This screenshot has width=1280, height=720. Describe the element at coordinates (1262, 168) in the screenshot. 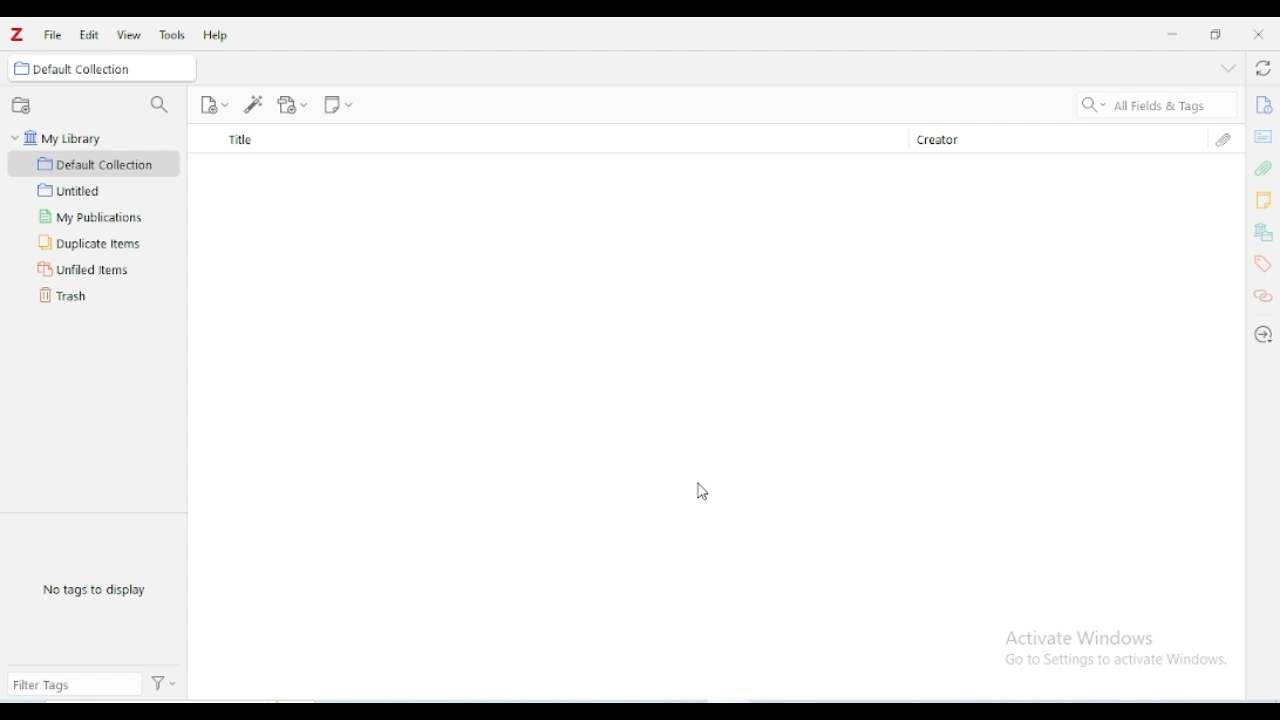

I see `attachments` at that location.